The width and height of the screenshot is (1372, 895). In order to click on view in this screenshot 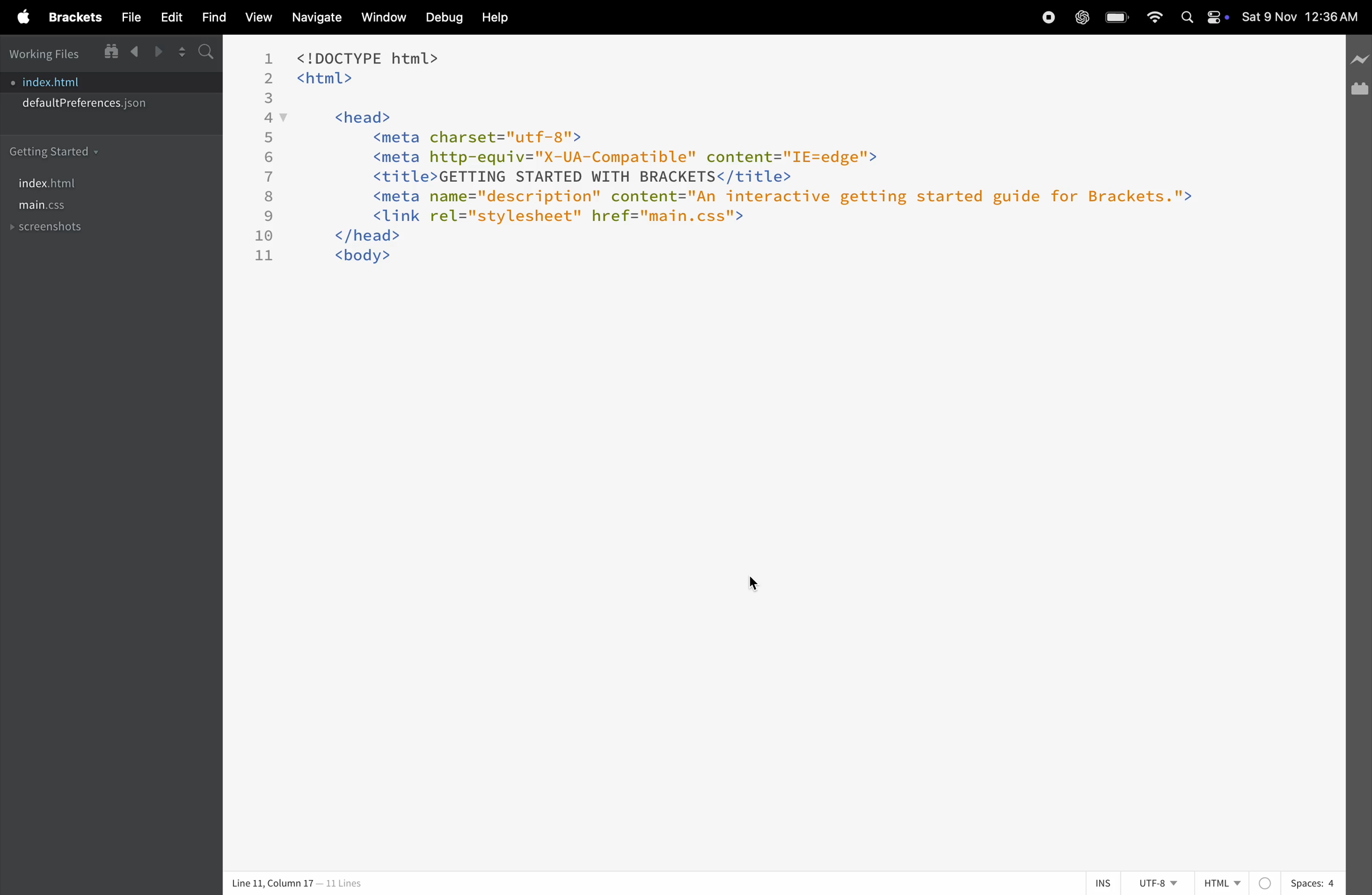, I will do `click(260, 18)`.